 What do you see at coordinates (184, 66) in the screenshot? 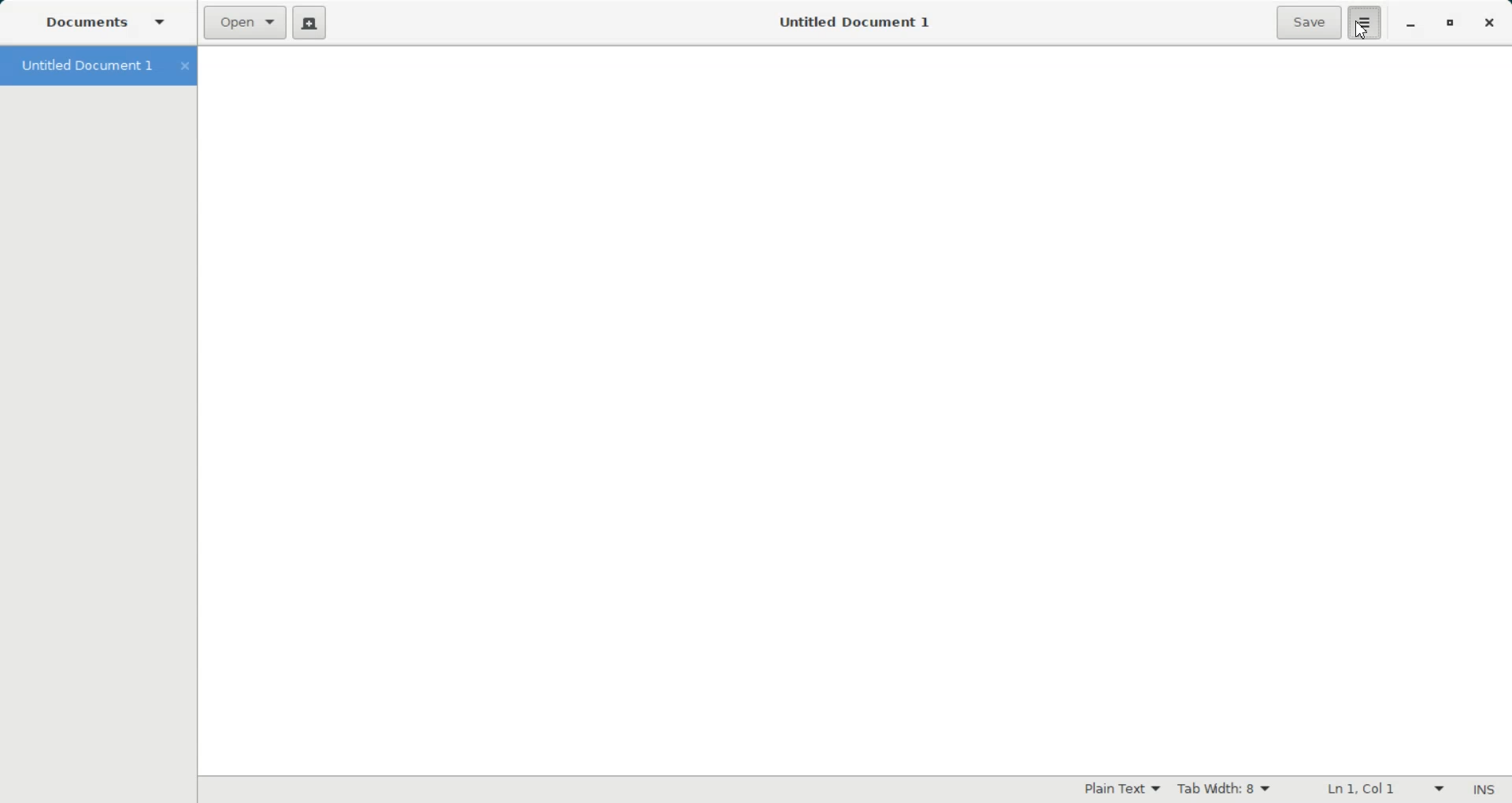
I see `Close` at bounding box center [184, 66].